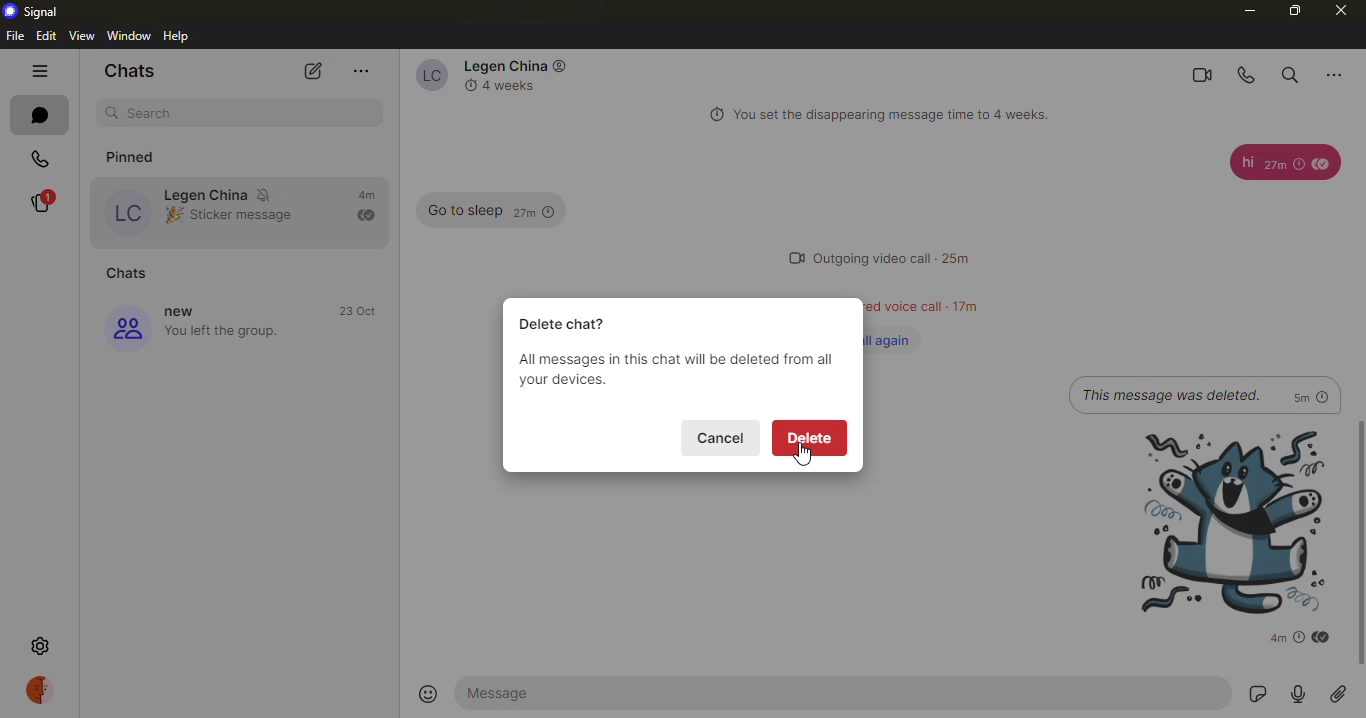 The height and width of the screenshot is (718, 1366). I want to click on 4 weeks, so click(516, 86).